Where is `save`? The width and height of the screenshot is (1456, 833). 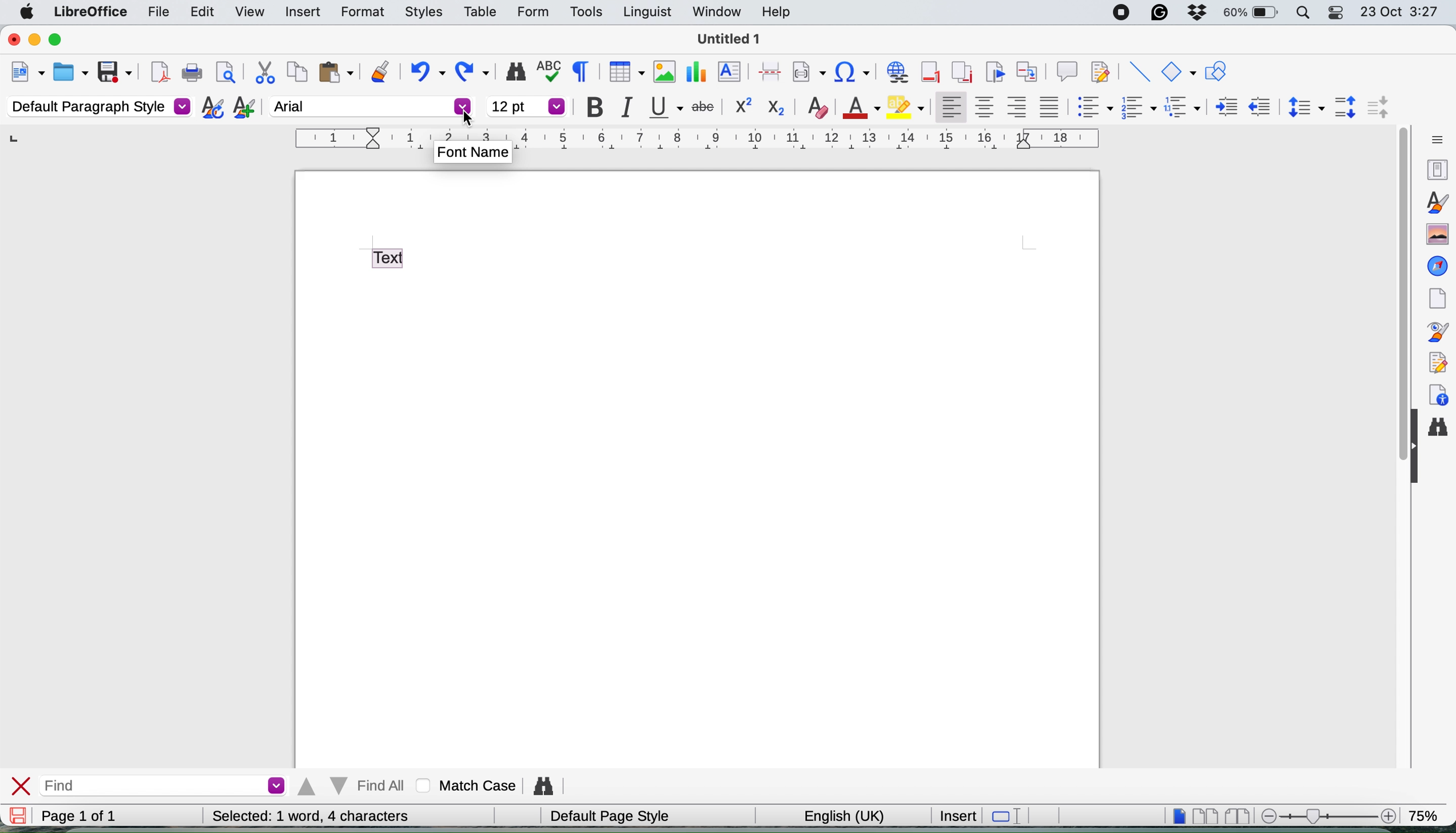
save is located at coordinates (114, 71).